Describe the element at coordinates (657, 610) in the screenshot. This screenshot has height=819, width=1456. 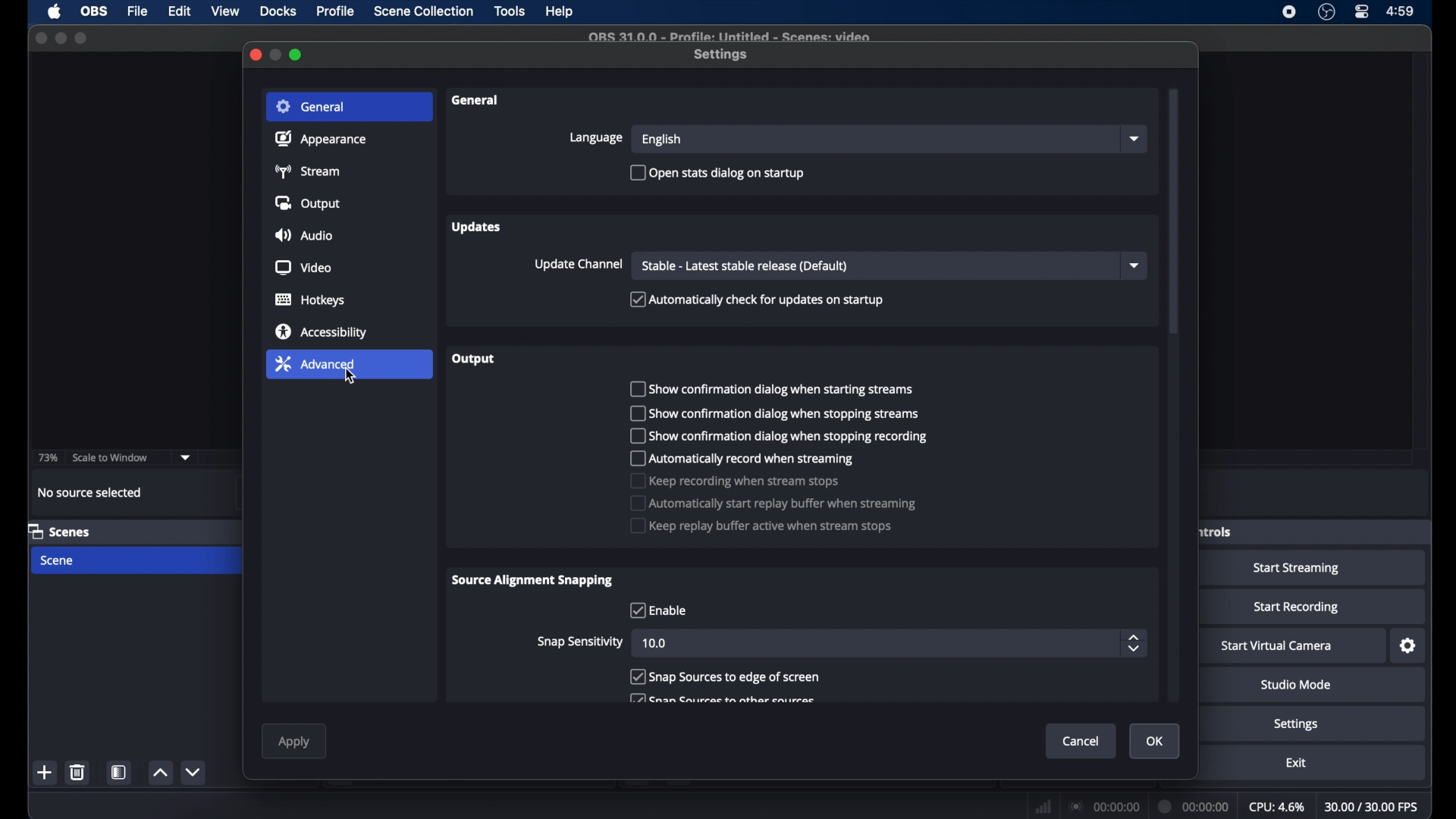
I see `enable` at that location.